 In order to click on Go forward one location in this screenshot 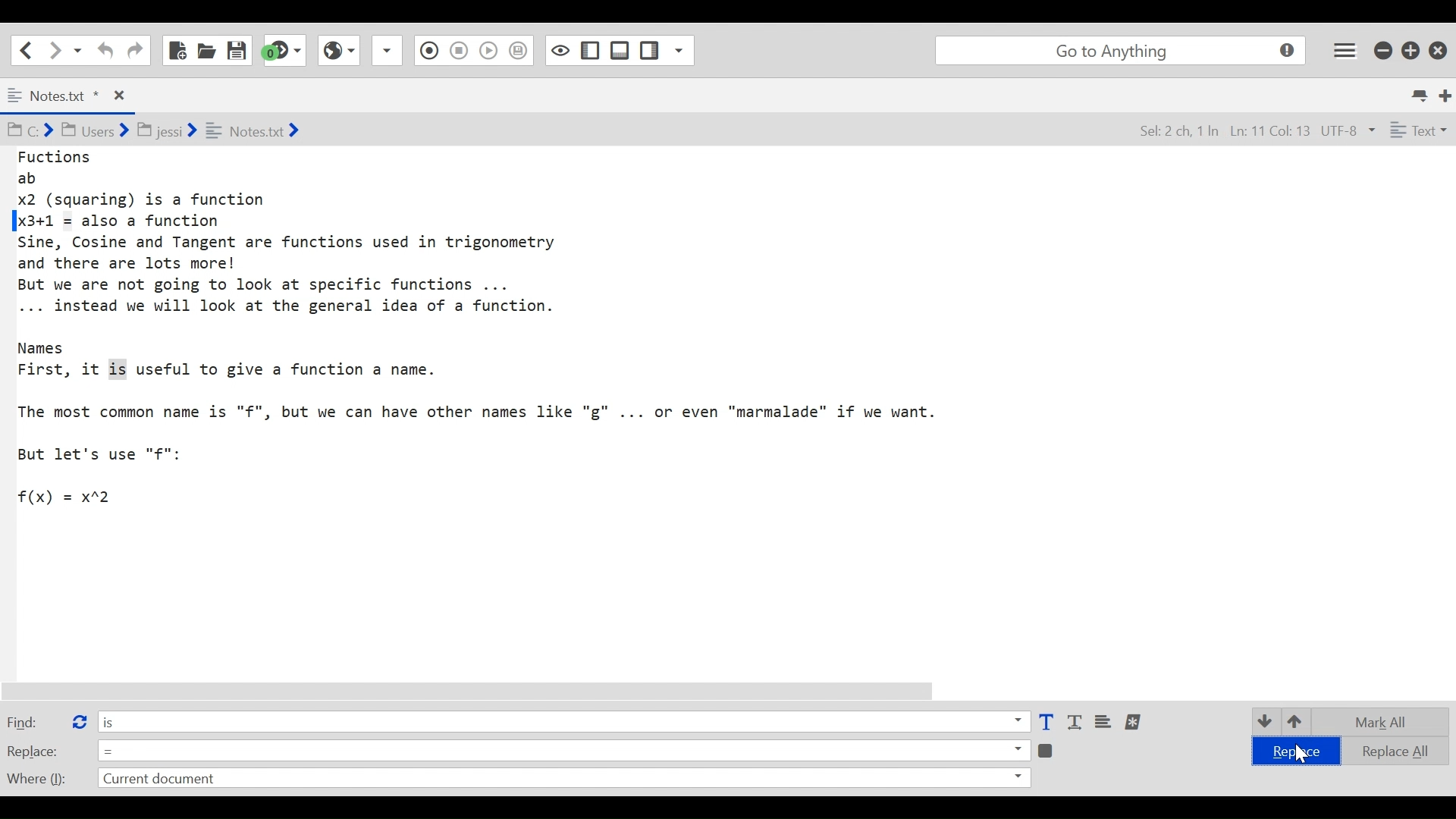, I will do `click(56, 49)`.